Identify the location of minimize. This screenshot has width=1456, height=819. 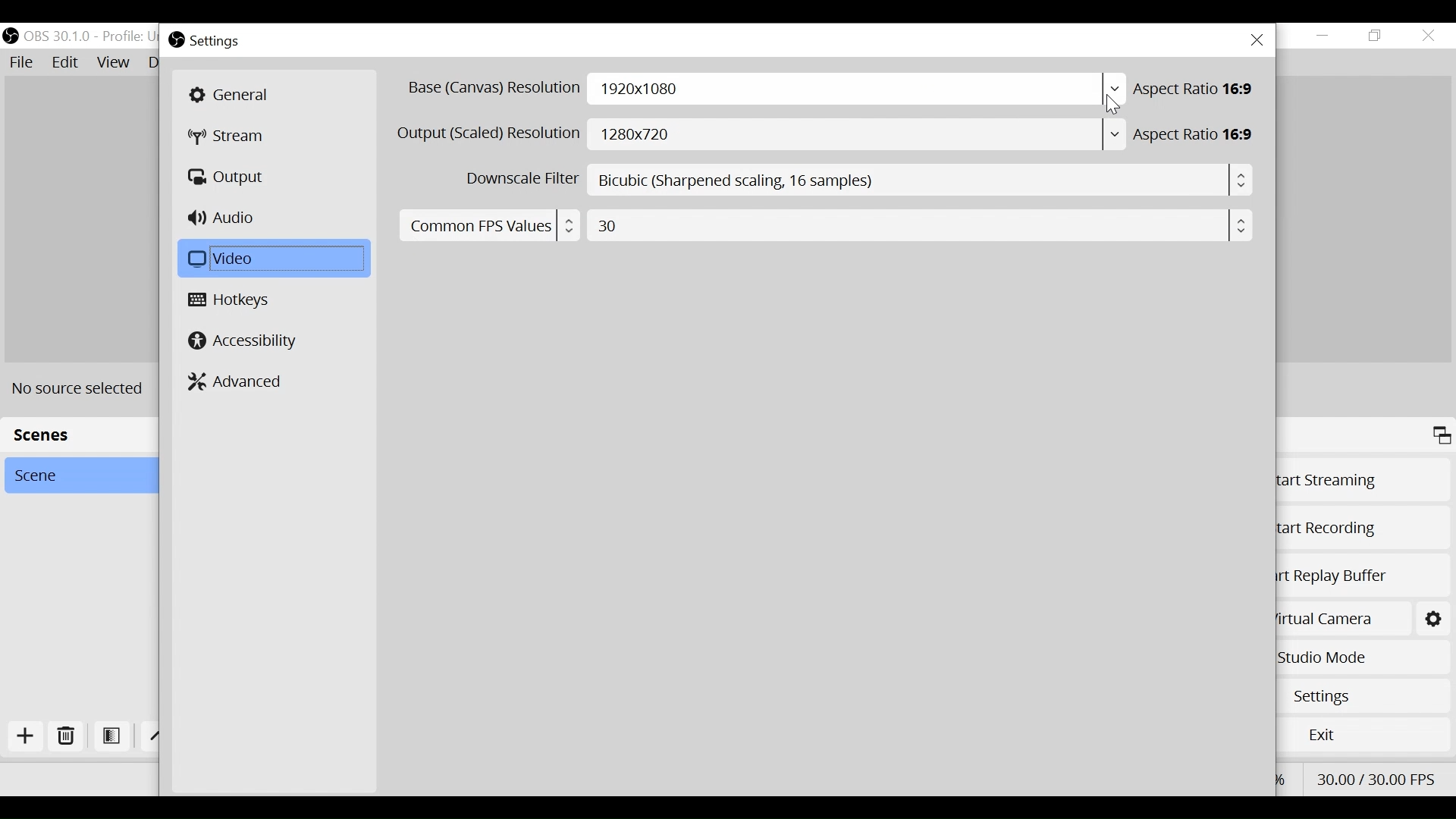
(1323, 36).